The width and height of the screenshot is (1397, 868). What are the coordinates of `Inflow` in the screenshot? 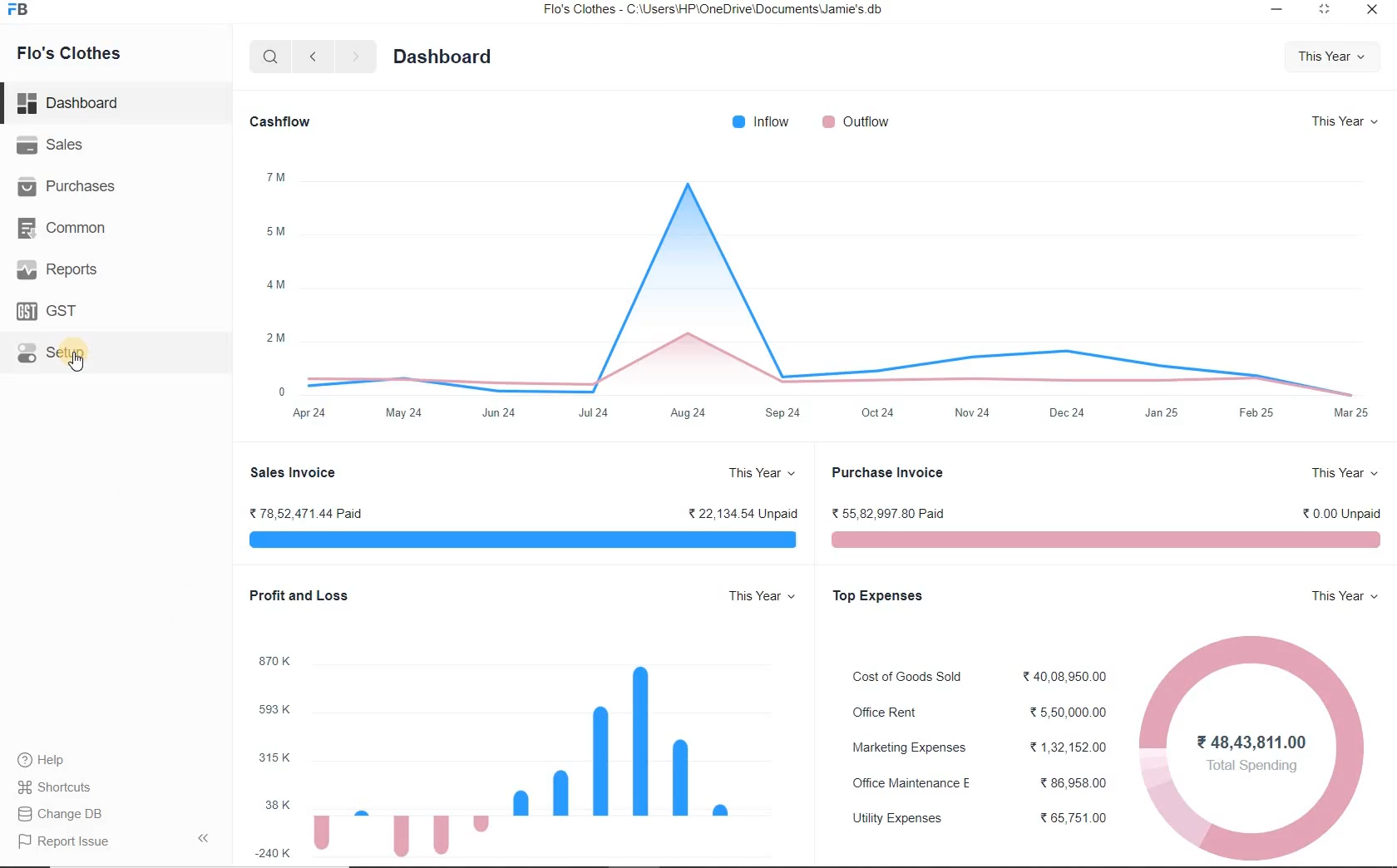 It's located at (765, 119).